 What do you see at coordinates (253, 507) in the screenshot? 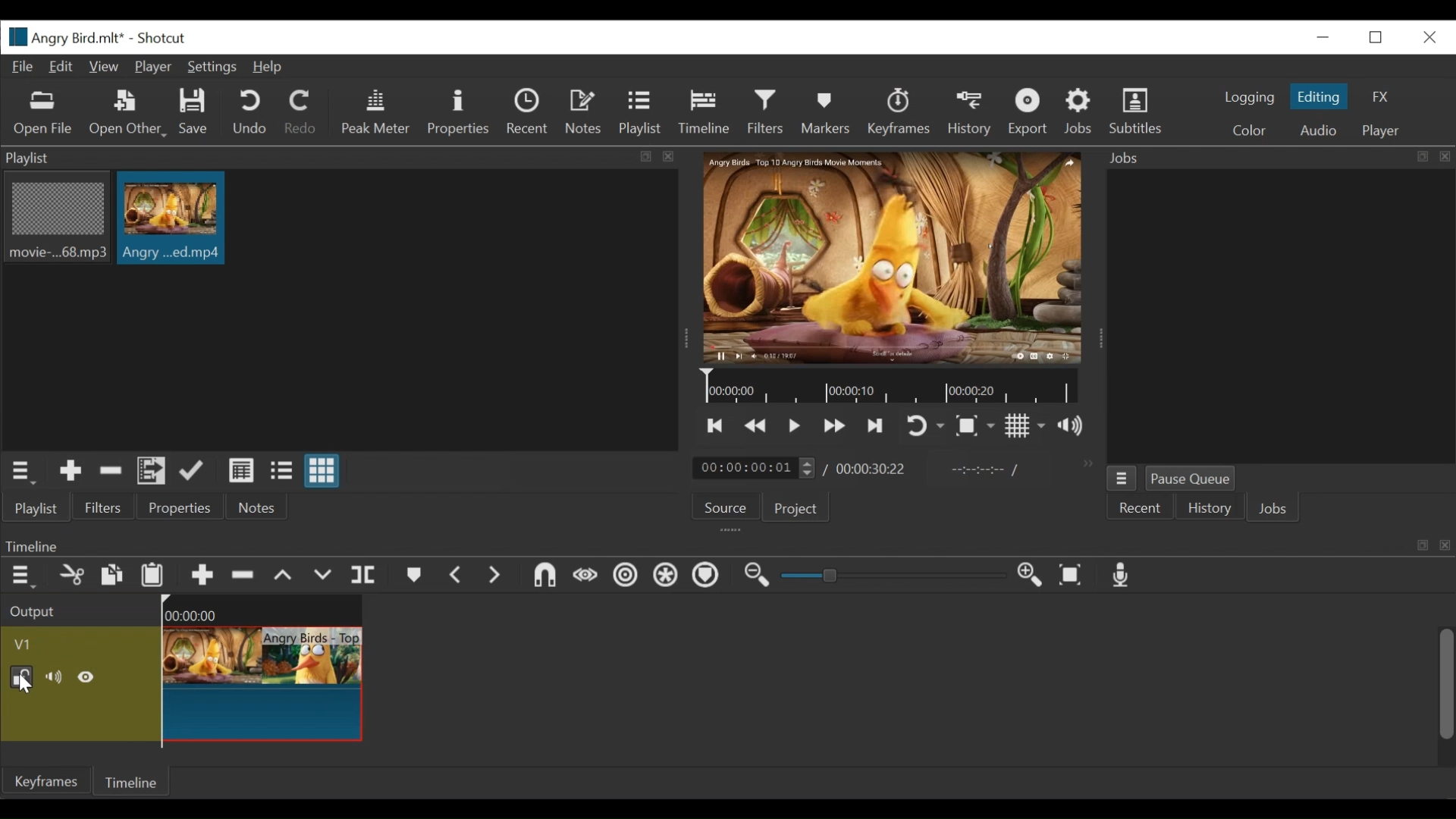
I see `Notes` at bounding box center [253, 507].